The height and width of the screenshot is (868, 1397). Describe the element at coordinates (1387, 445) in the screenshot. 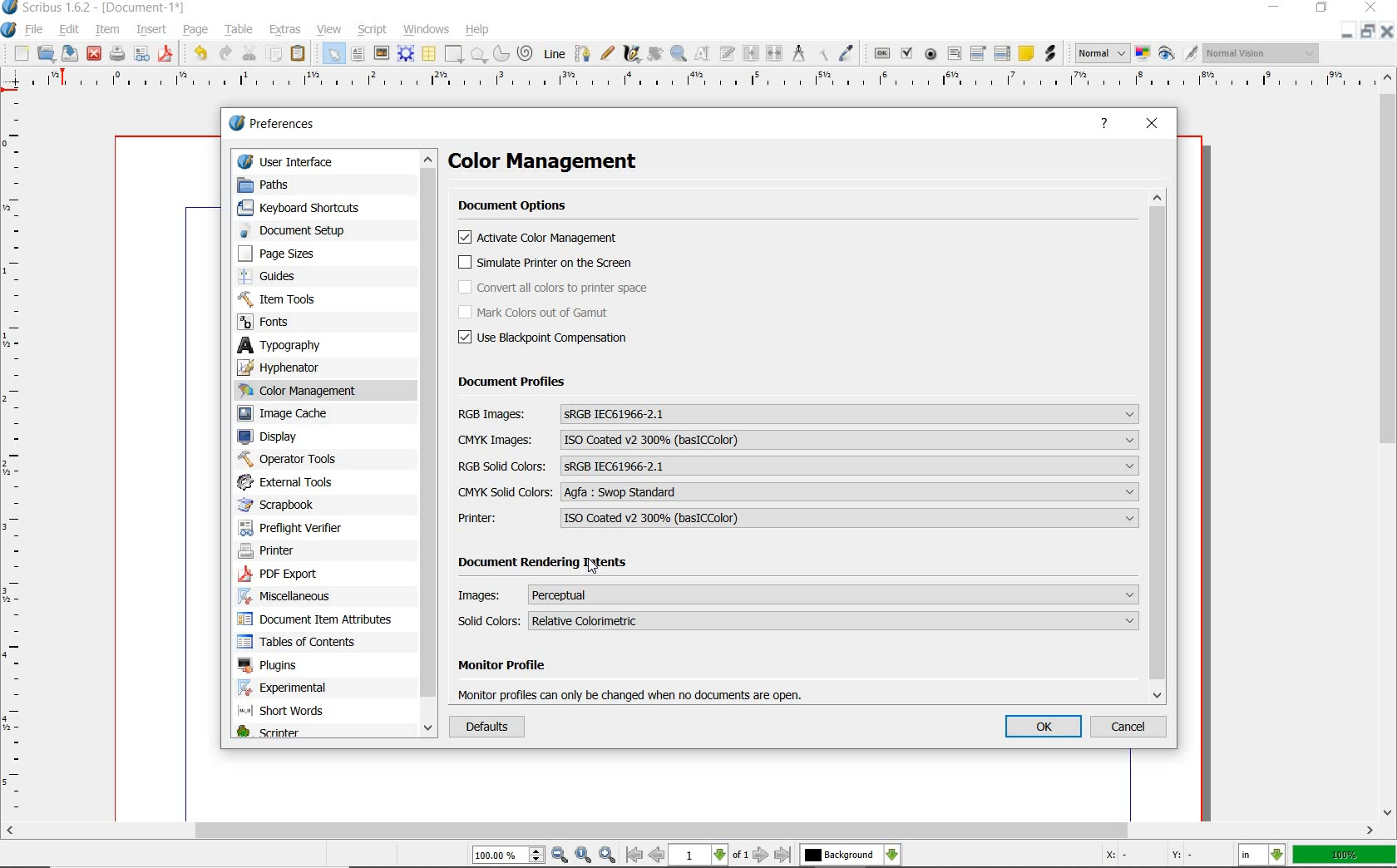

I see `scrollbar` at that location.